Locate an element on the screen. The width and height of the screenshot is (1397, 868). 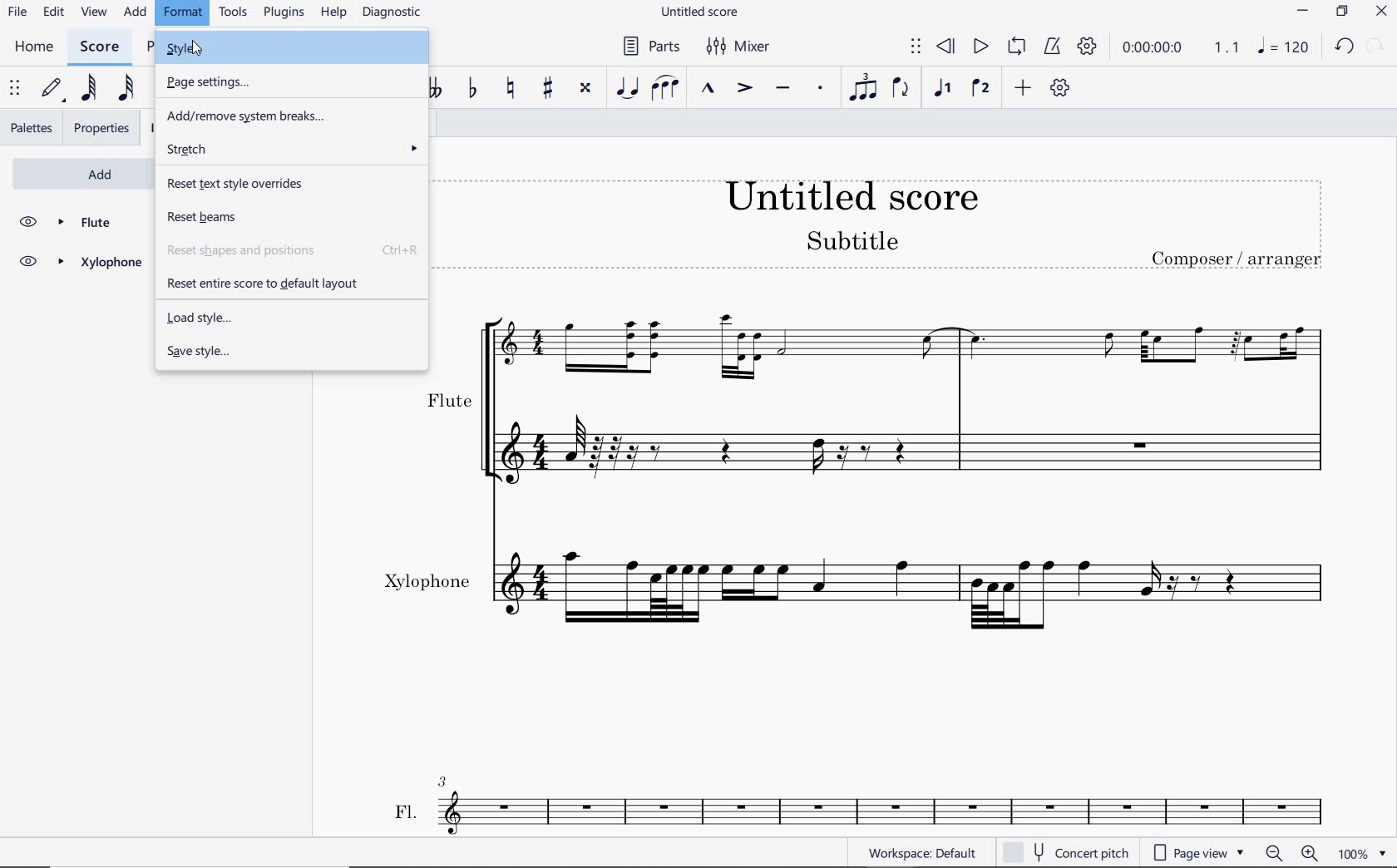
add/remove system breaks is located at coordinates (292, 116).